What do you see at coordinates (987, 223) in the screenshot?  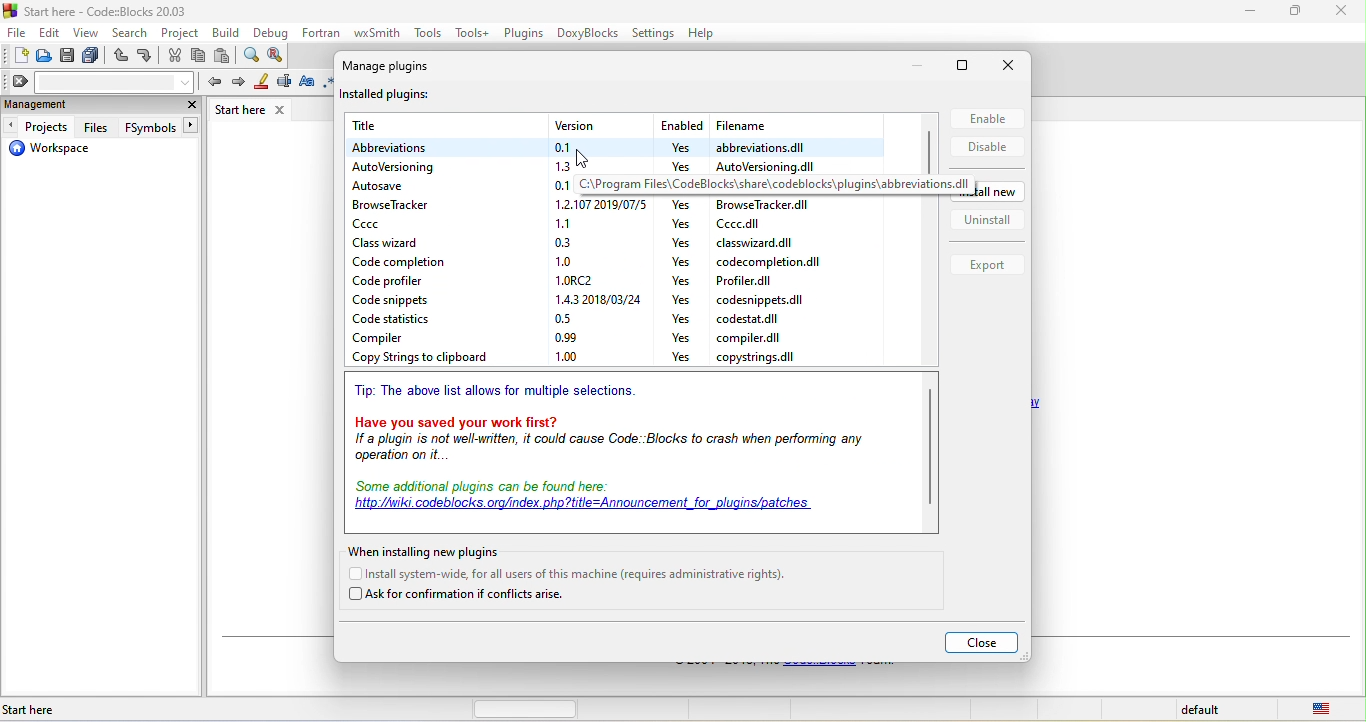 I see `uninstall` at bounding box center [987, 223].